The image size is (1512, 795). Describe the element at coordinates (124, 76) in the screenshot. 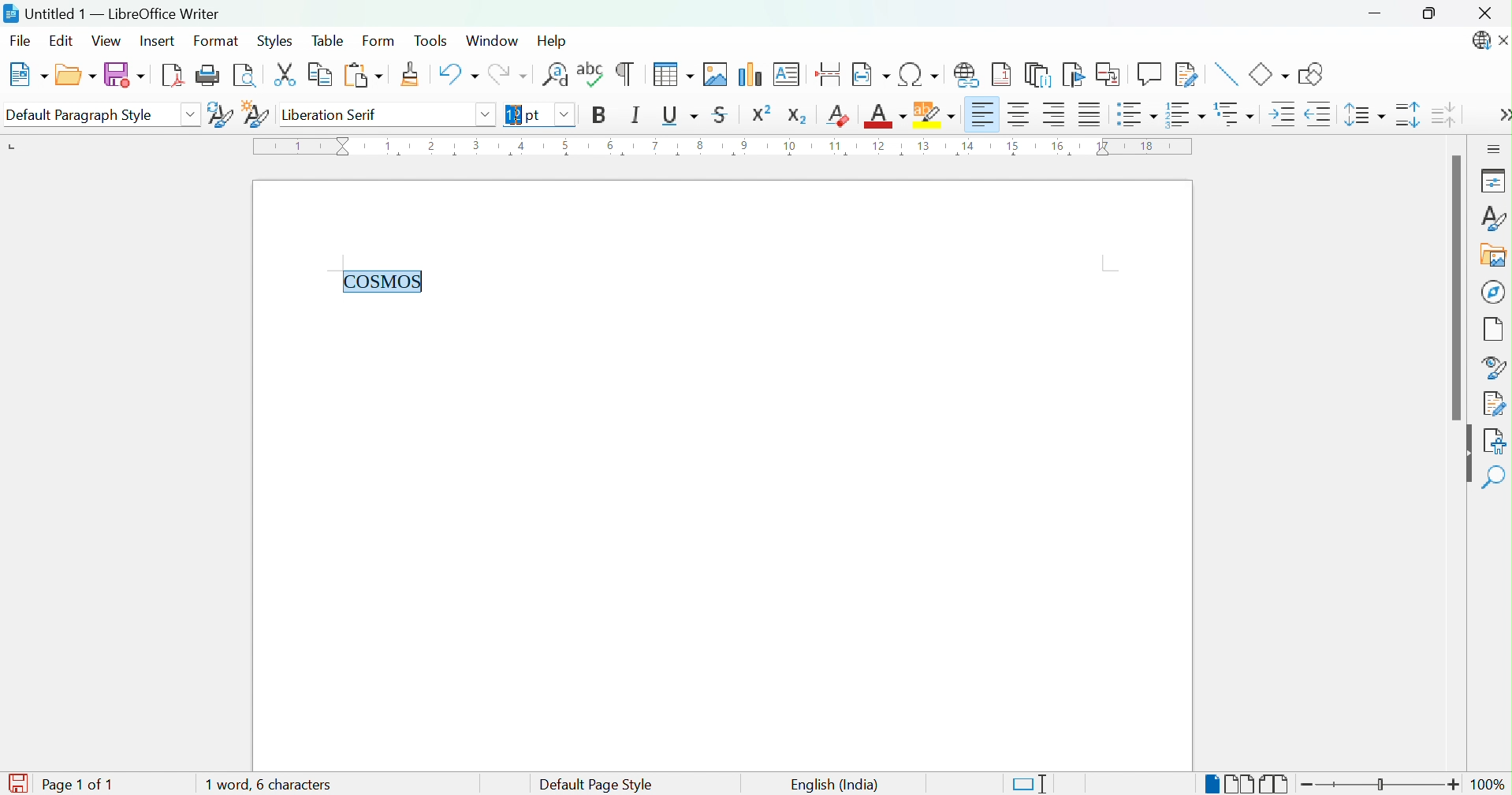

I see `Save` at that location.